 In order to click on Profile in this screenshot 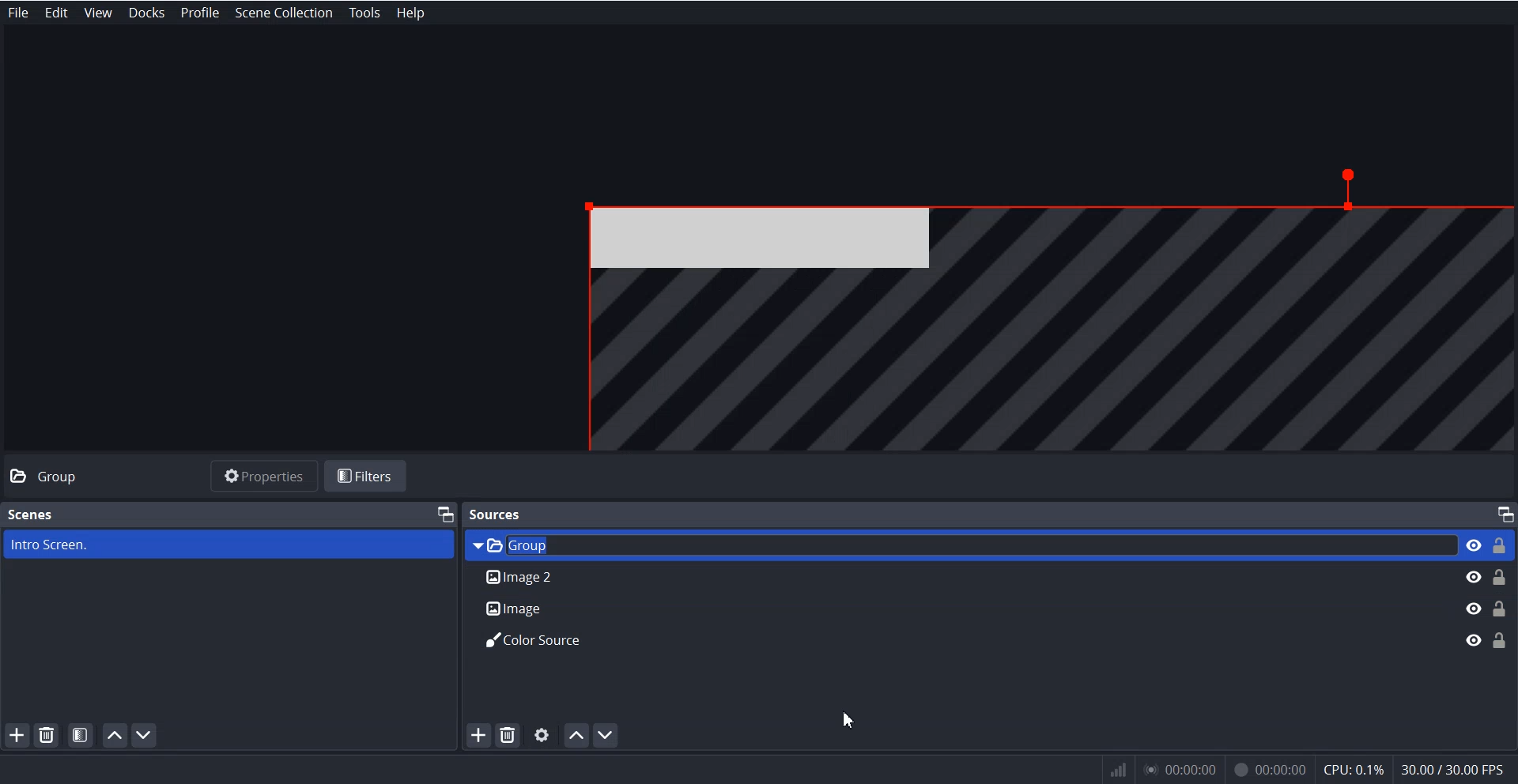, I will do `click(200, 13)`.